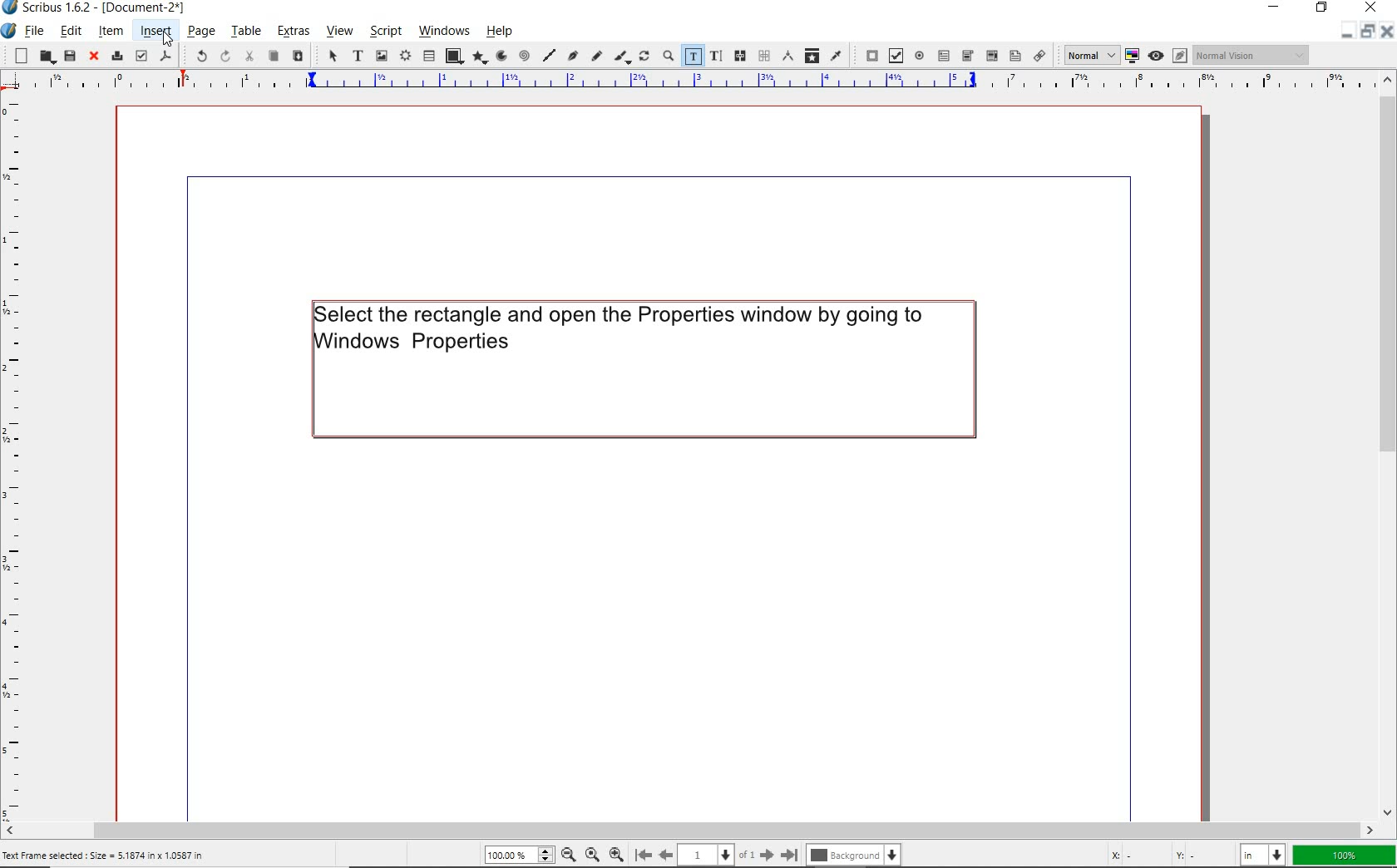 The height and width of the screenshot is (868, 1397). What do you see at coordinates (165, 55) in the screenshot?
I see `save as pdf` at bounding box center [165, 55].